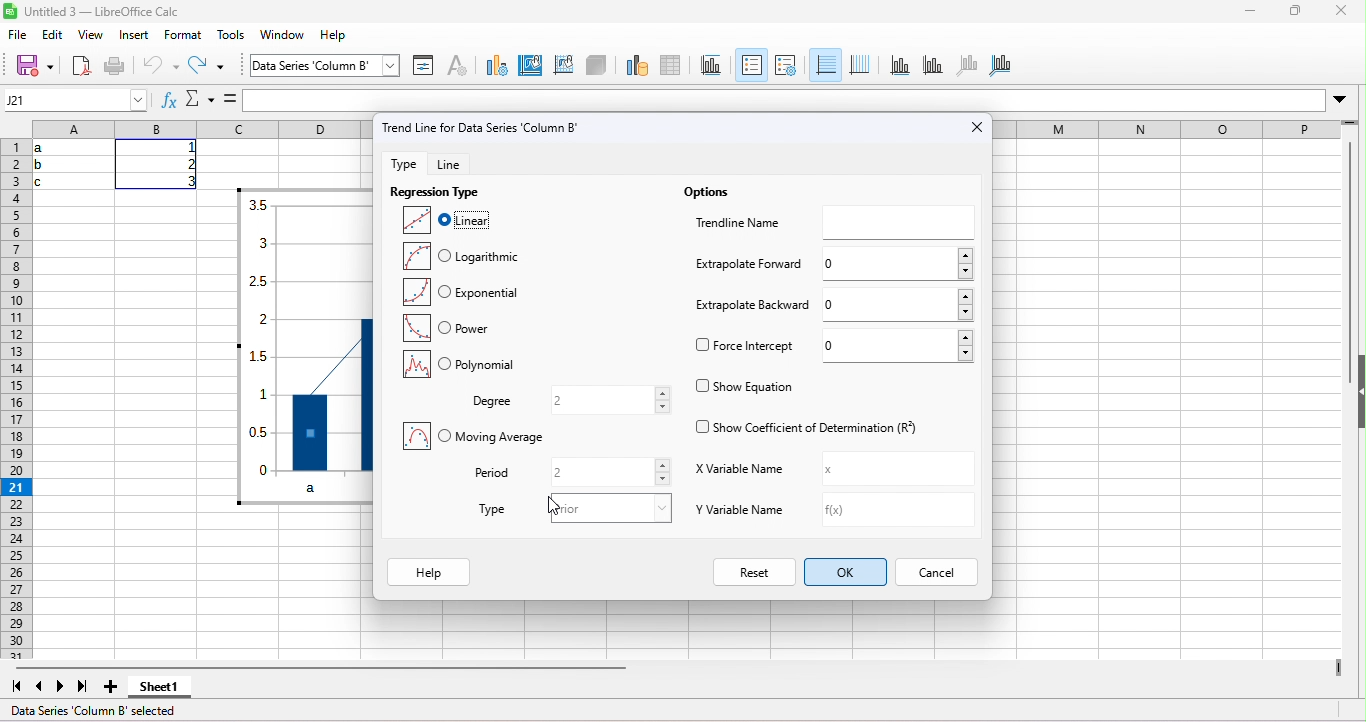 The height and width of the screenshot is (722, 1366). What do you see at coordinates (899, 261) in the screenshot?
I see `0` at bounding box center [899, 261].